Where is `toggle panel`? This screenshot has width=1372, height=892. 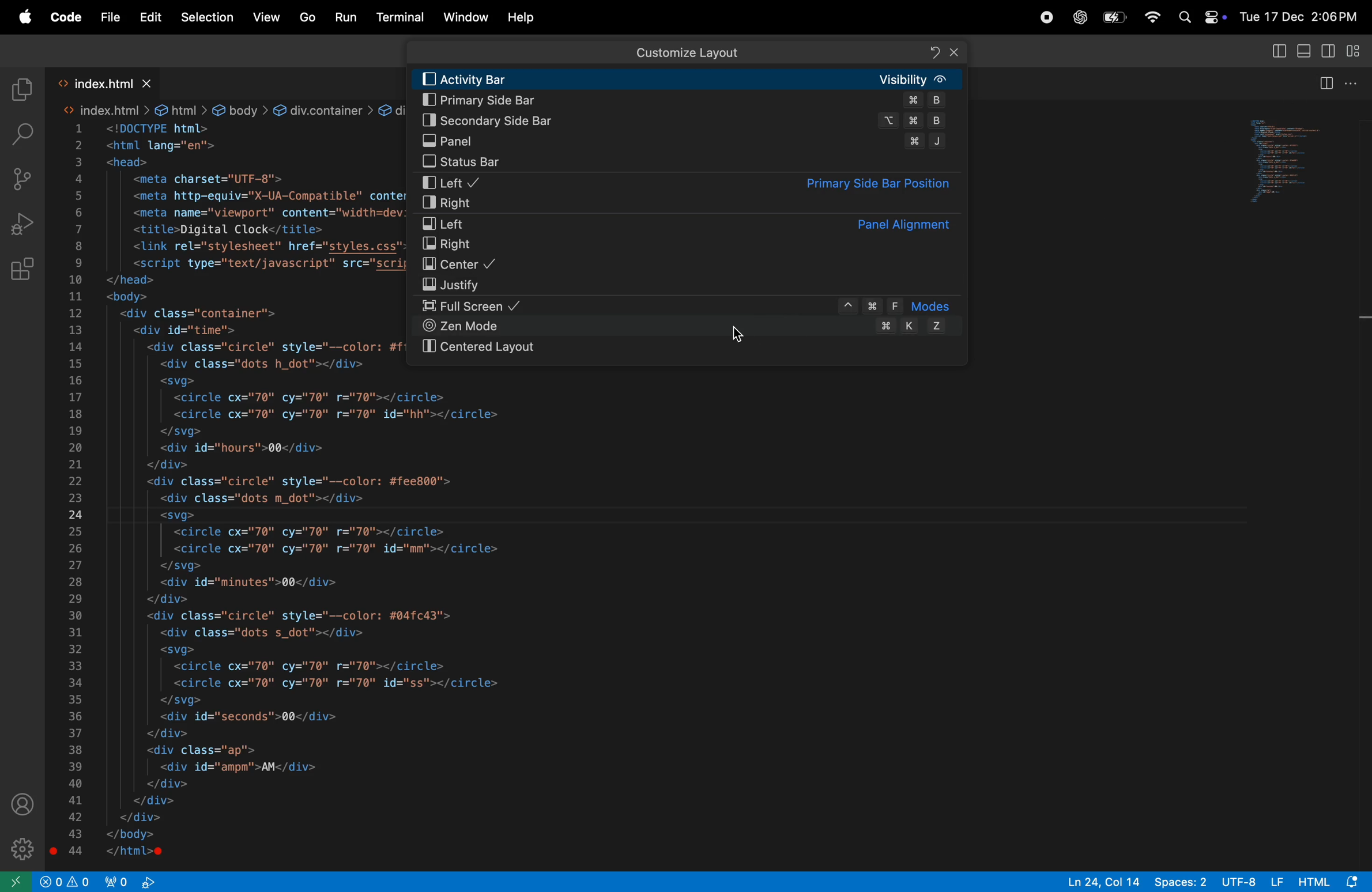
toggle panel is located at coordinates (1276, 51).